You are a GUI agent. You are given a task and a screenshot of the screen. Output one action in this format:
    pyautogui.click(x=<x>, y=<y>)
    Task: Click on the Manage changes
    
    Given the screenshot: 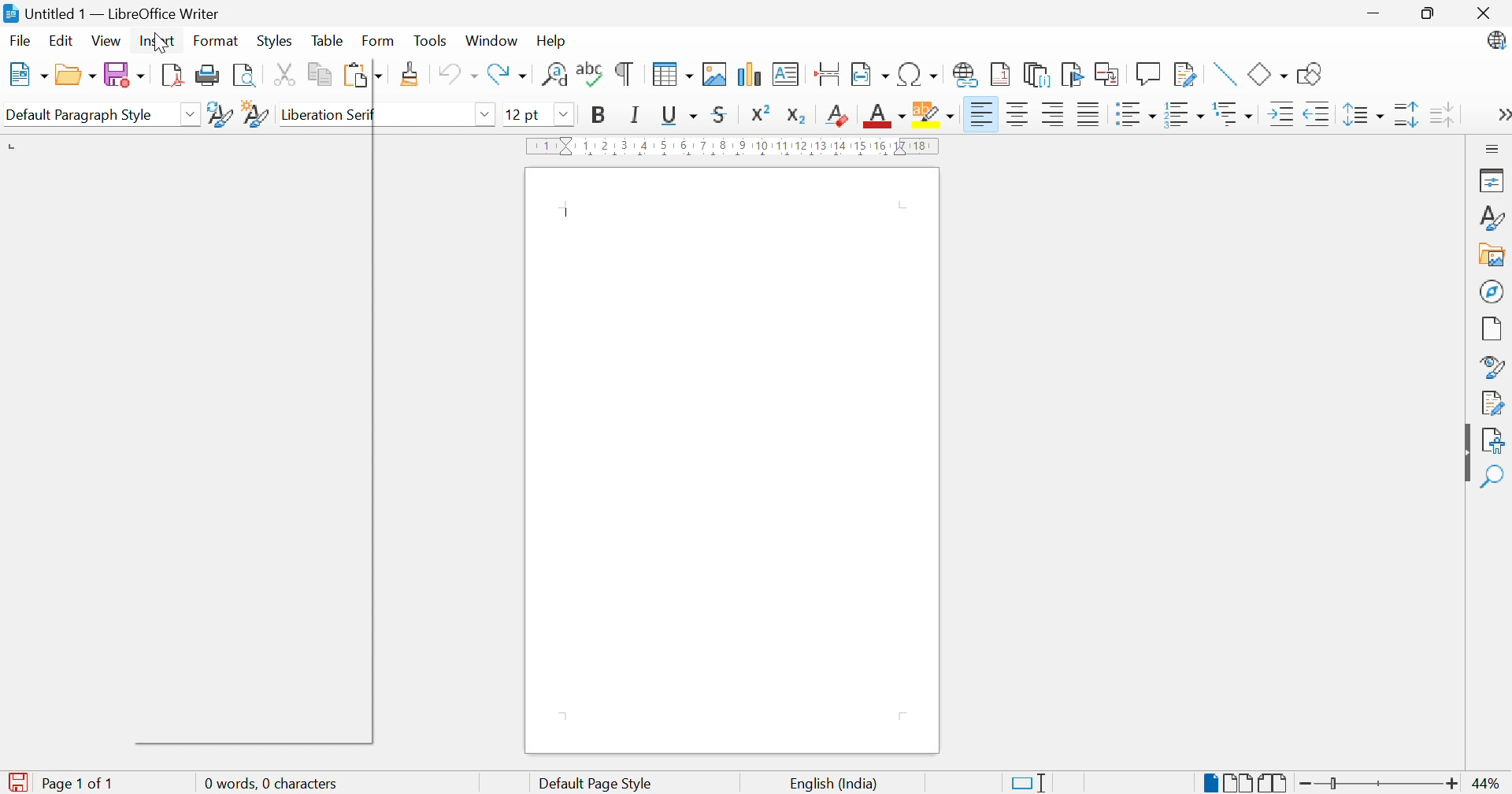 What is the action you would take?
    pyautogui.click(x=1493, y=403)
    